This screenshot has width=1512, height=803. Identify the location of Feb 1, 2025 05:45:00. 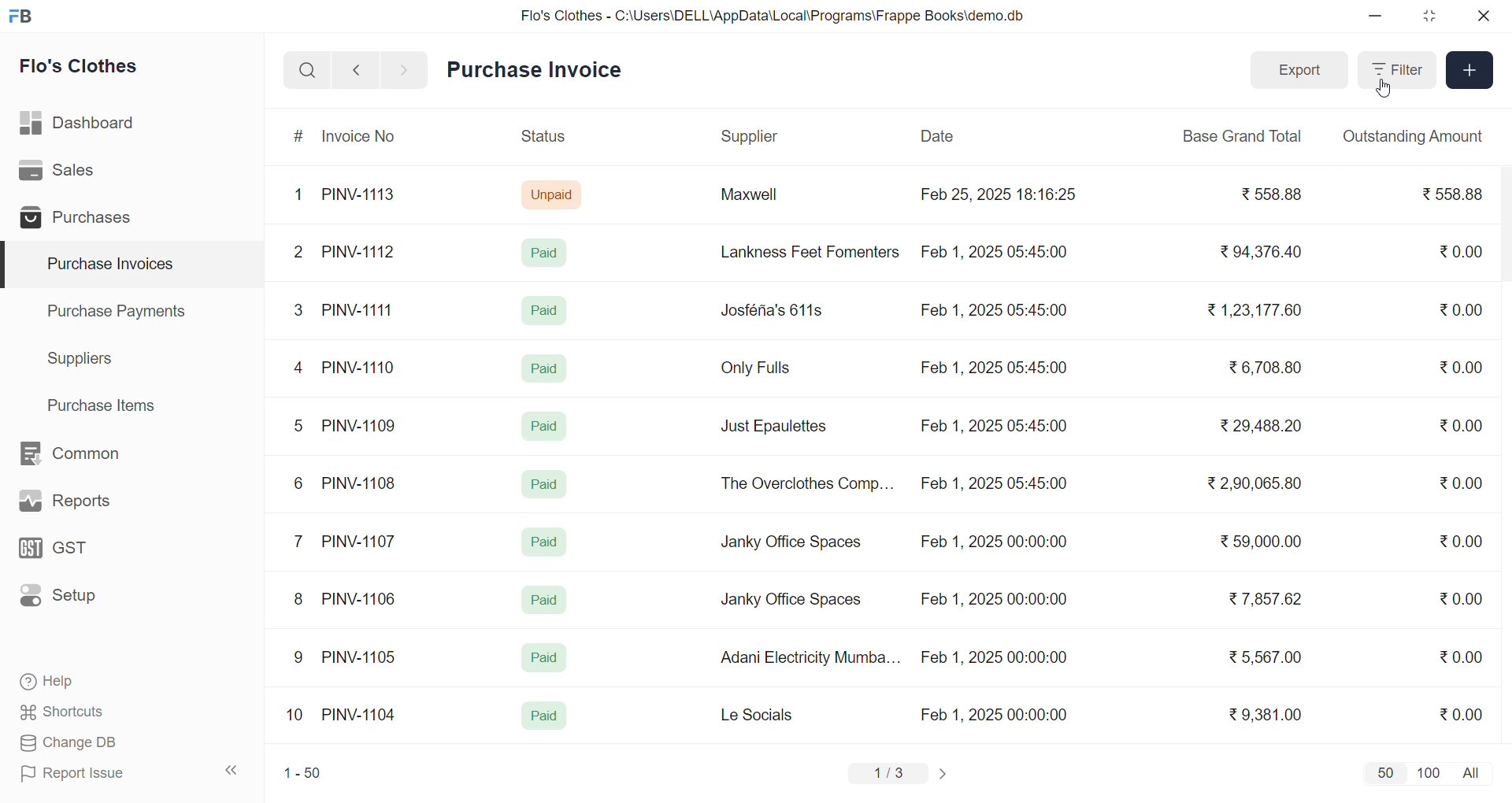
(992, 312).